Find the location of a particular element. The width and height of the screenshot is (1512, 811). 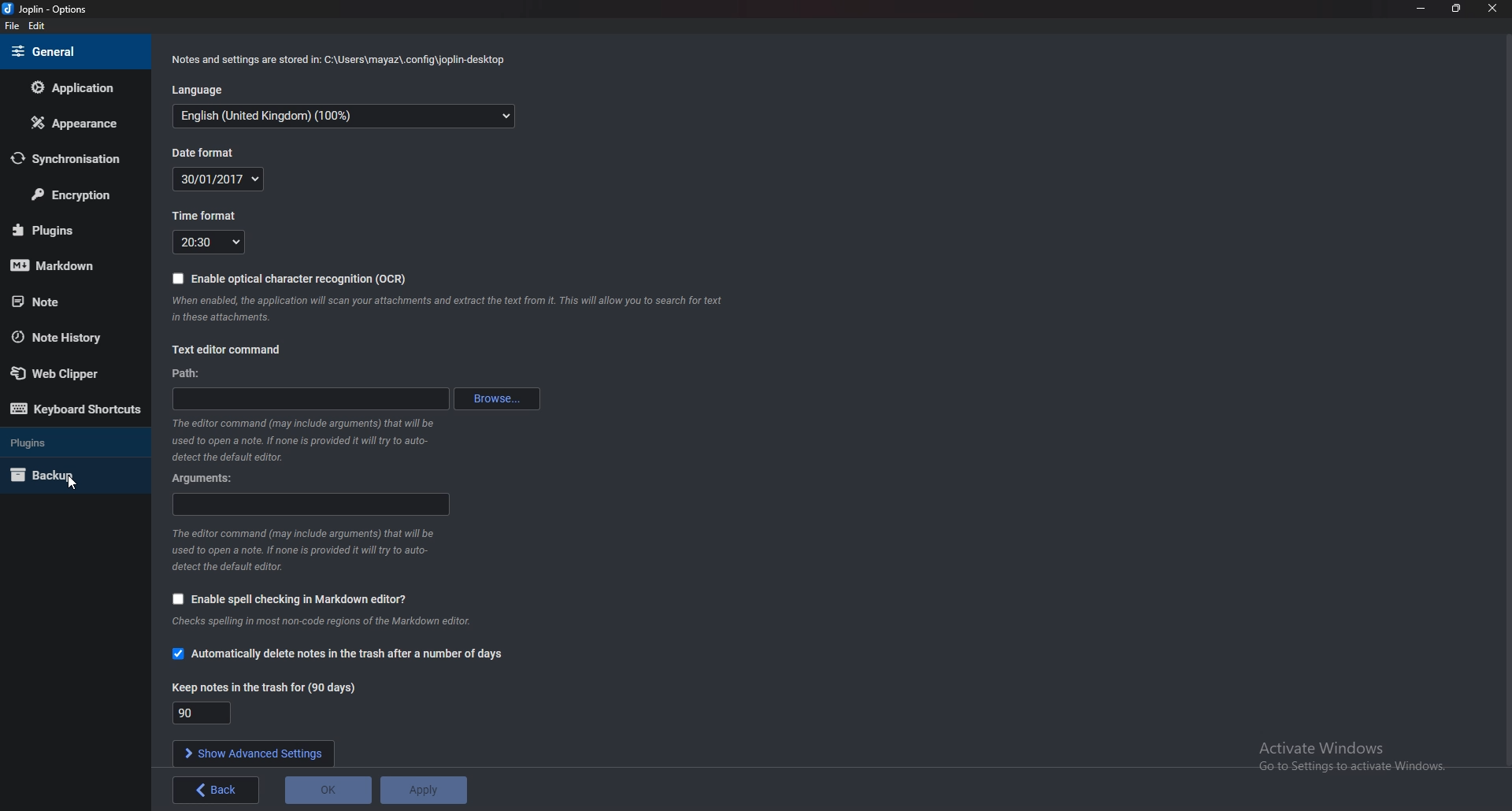

Arguments is located at coordinates (198, 480).